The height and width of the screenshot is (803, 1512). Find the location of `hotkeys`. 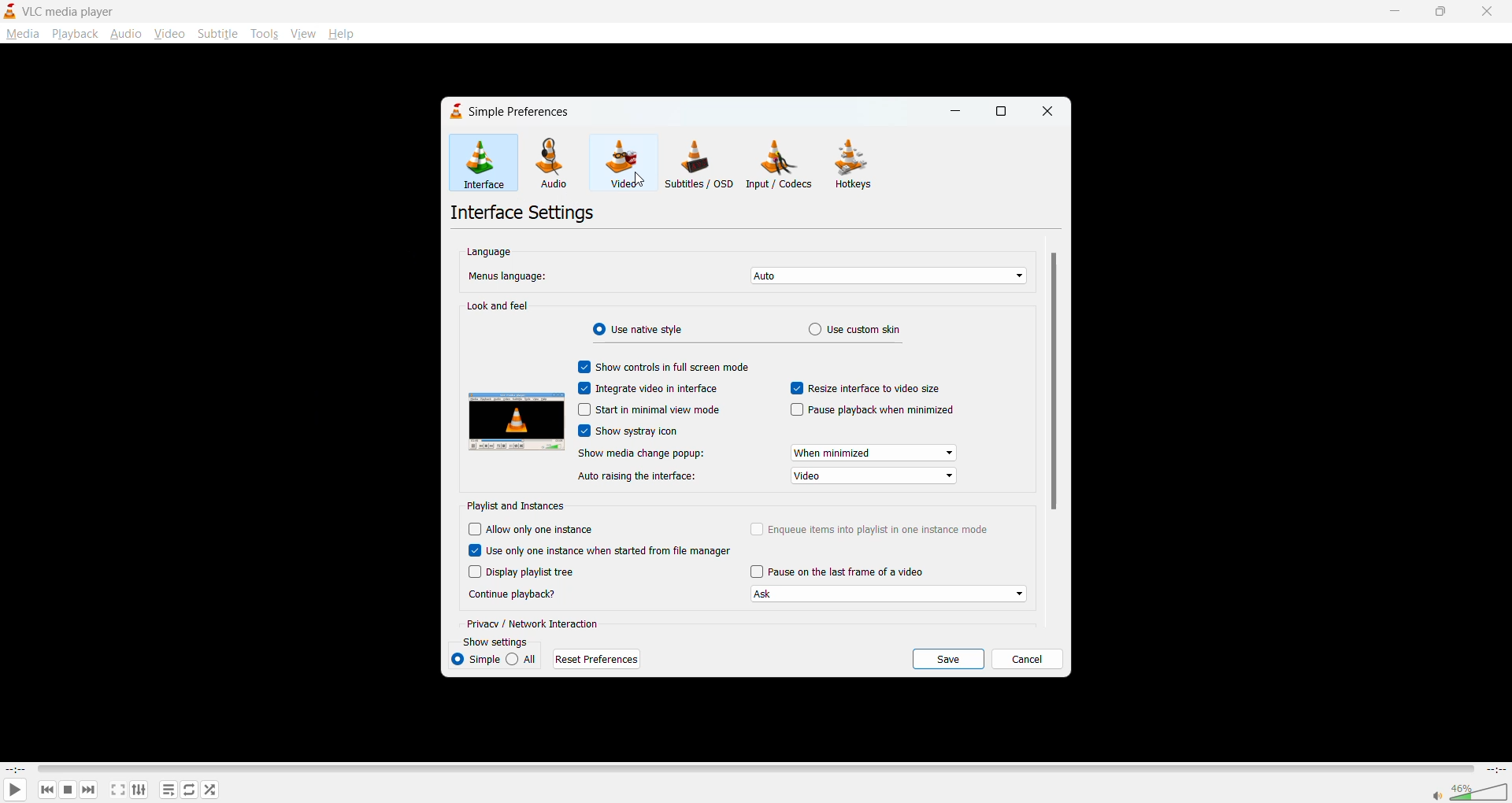

hotkeys is located at coordinates (858, 166).